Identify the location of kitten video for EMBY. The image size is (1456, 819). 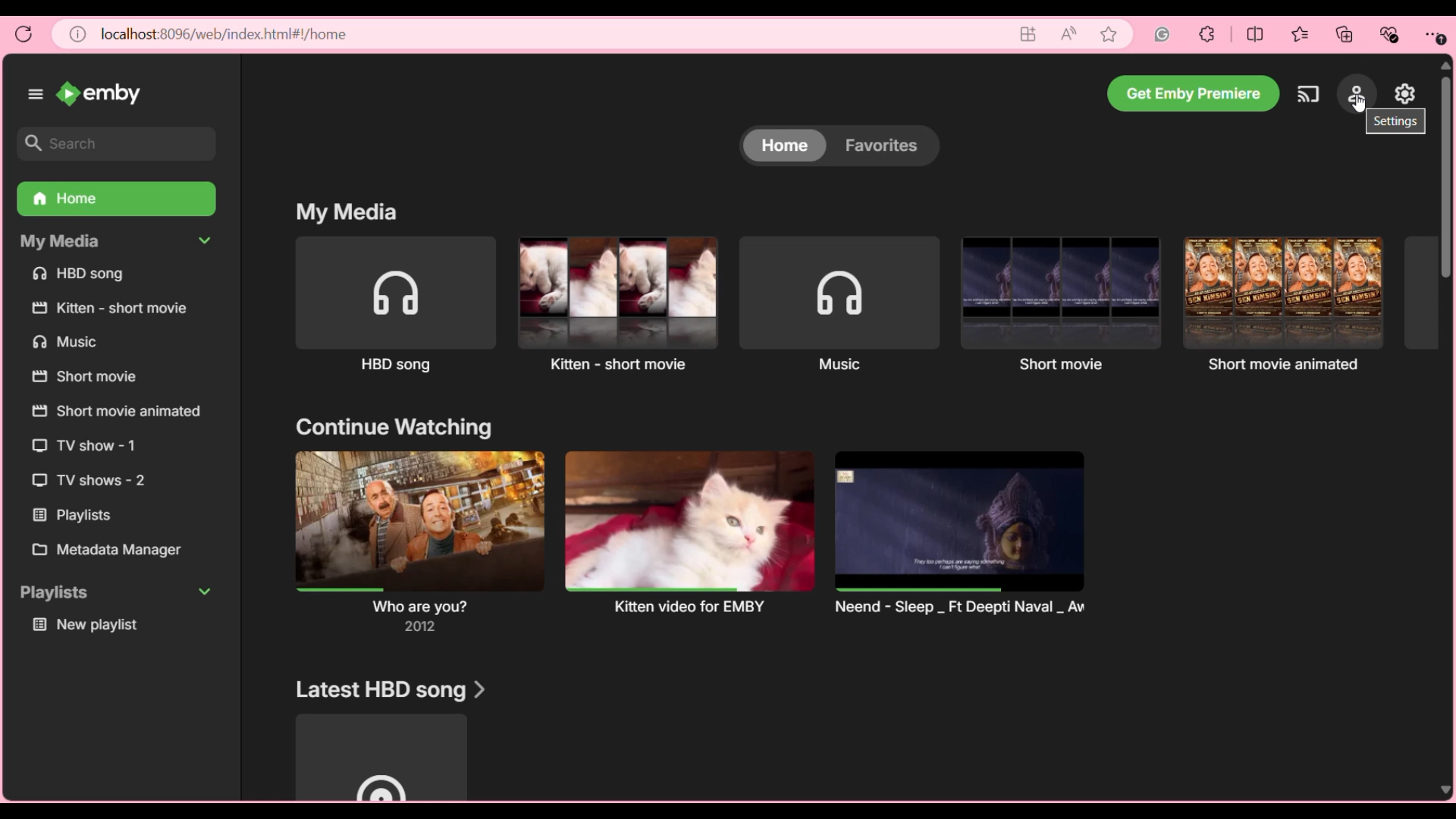
(686, 533).